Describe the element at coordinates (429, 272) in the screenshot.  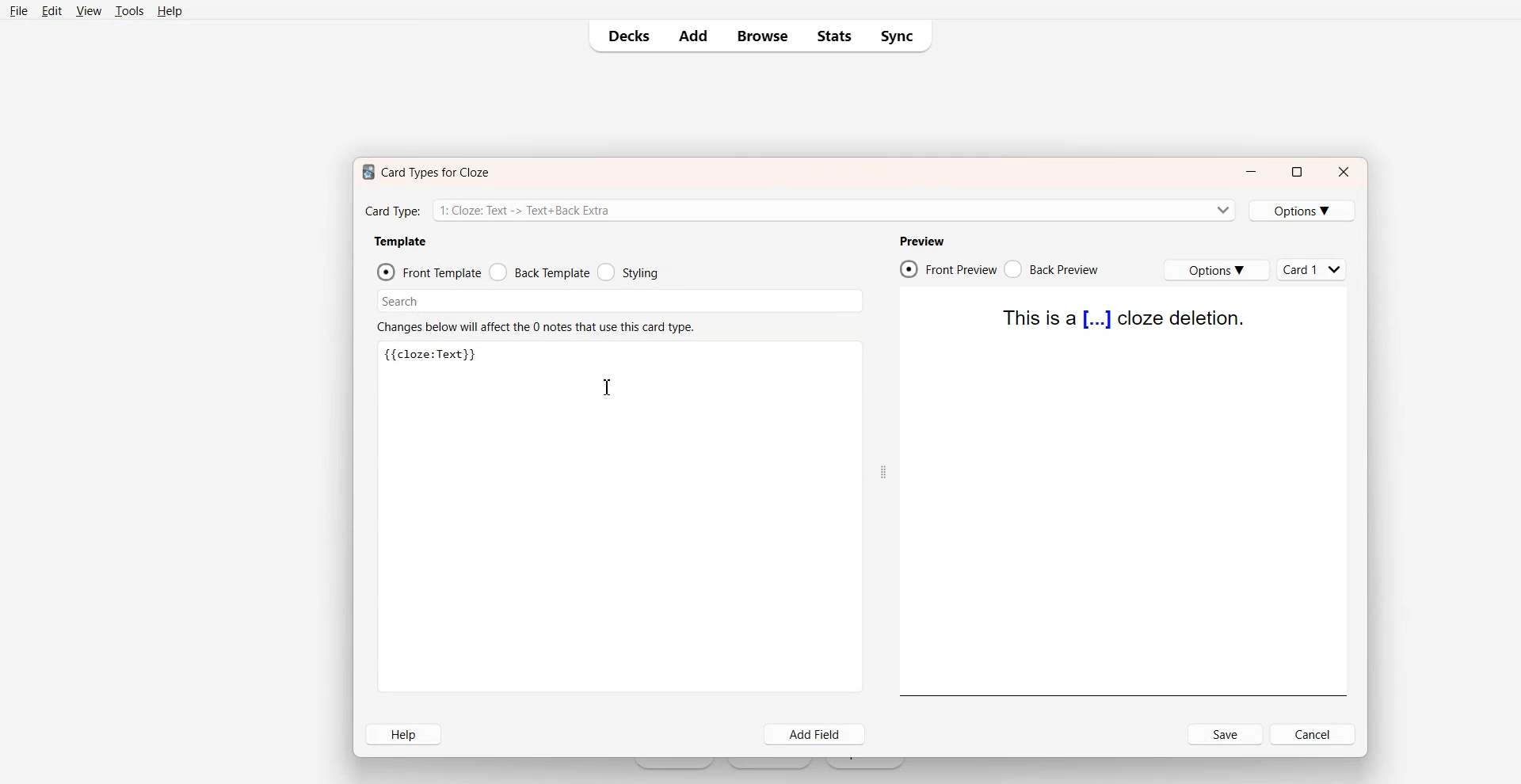
I see `Front Template` at that location.